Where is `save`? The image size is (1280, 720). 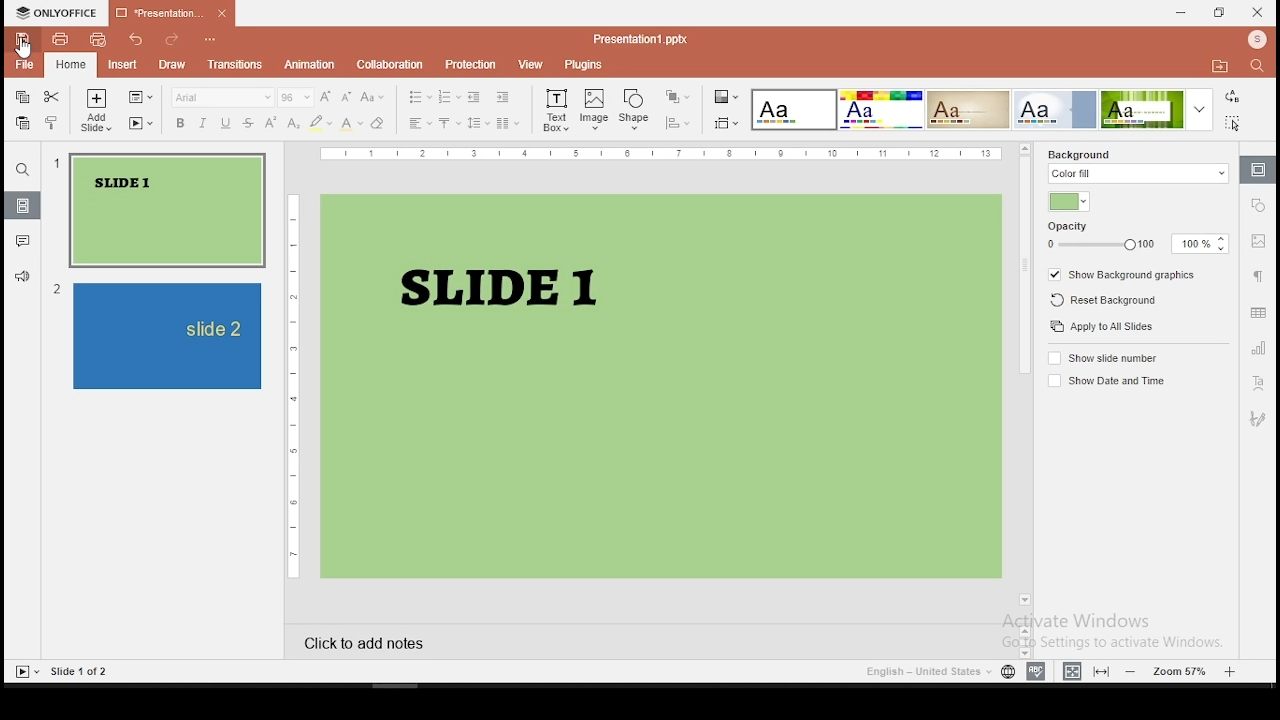
save is located at coordinates (21, 38).